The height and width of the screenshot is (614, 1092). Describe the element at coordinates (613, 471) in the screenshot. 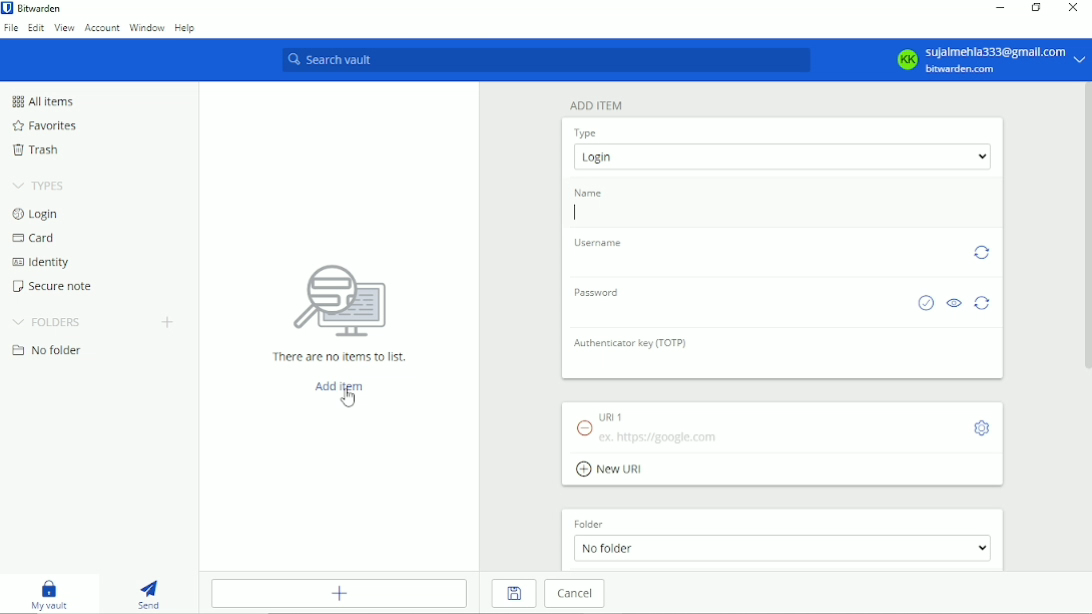

I see `add New URI` at that location.